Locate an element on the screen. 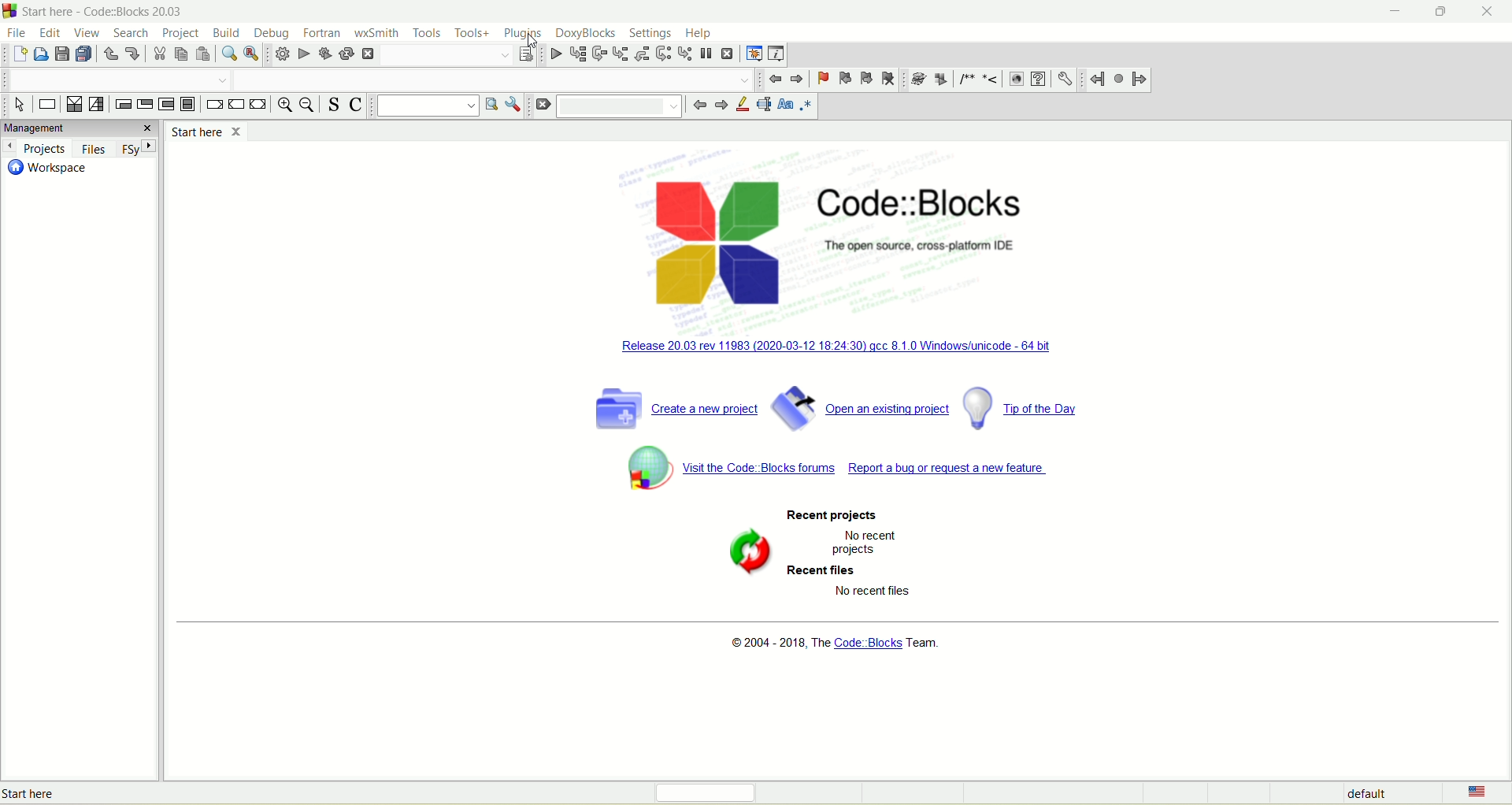  Start here is located at coordinates (61, 796).